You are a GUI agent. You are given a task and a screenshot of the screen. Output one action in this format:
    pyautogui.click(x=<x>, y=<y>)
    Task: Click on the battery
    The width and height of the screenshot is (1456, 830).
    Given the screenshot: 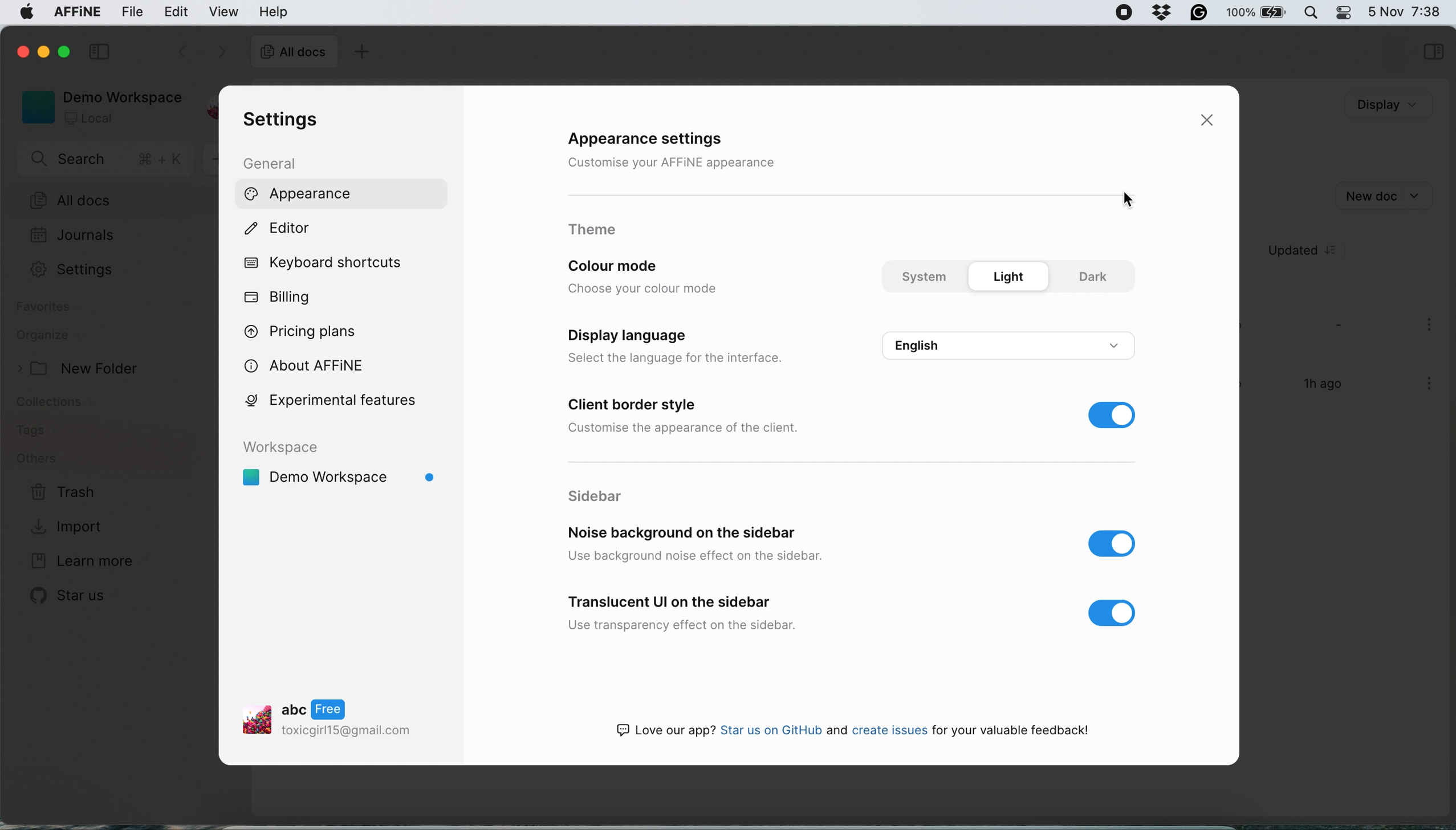 What is the action you would take?
    pyautogui.click(x=1258, y=13)
    